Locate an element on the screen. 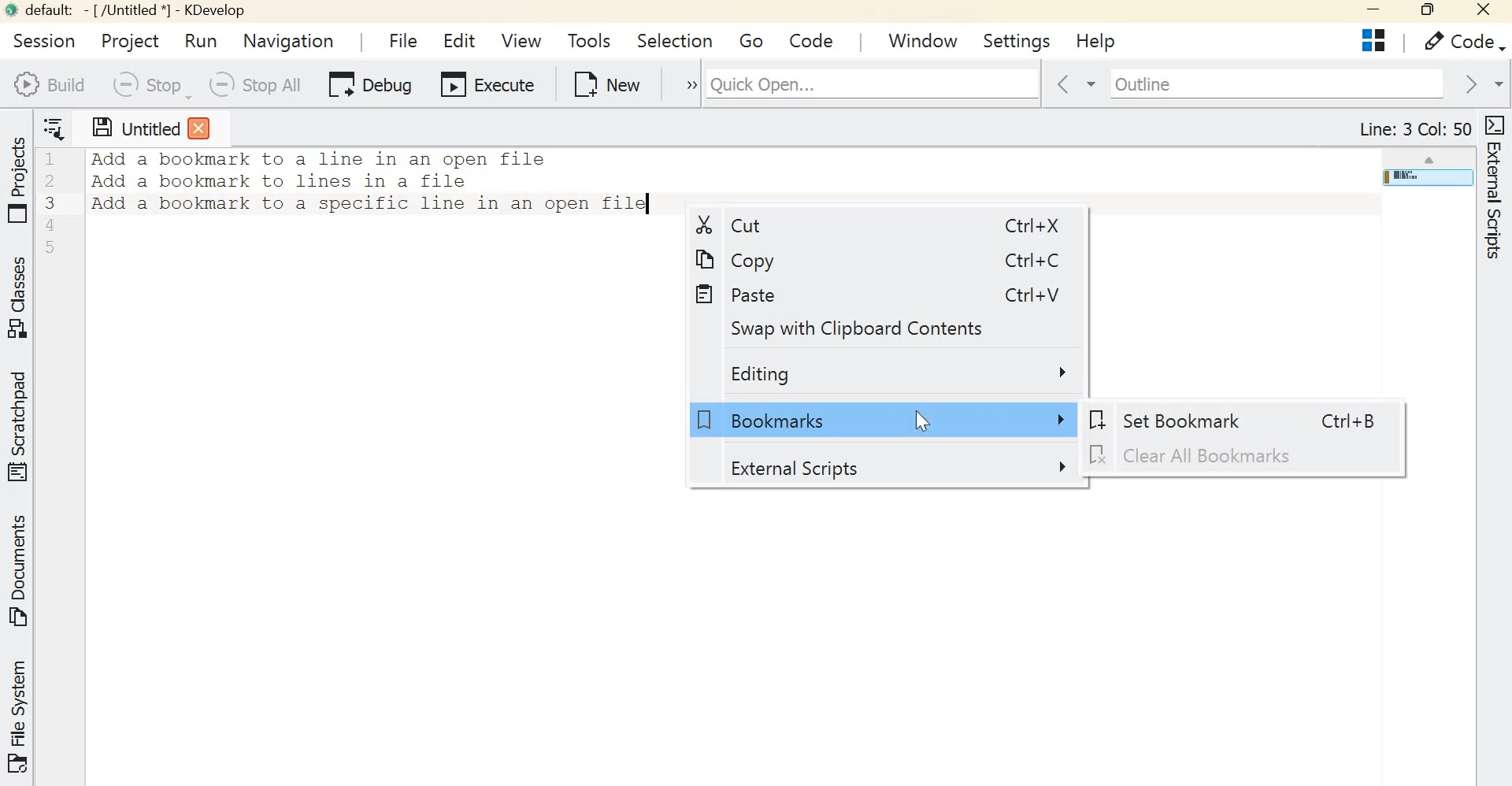 Image resolution: width=1512 pixels, height=786 pixels. Close is located at coordinates (1485, 12).